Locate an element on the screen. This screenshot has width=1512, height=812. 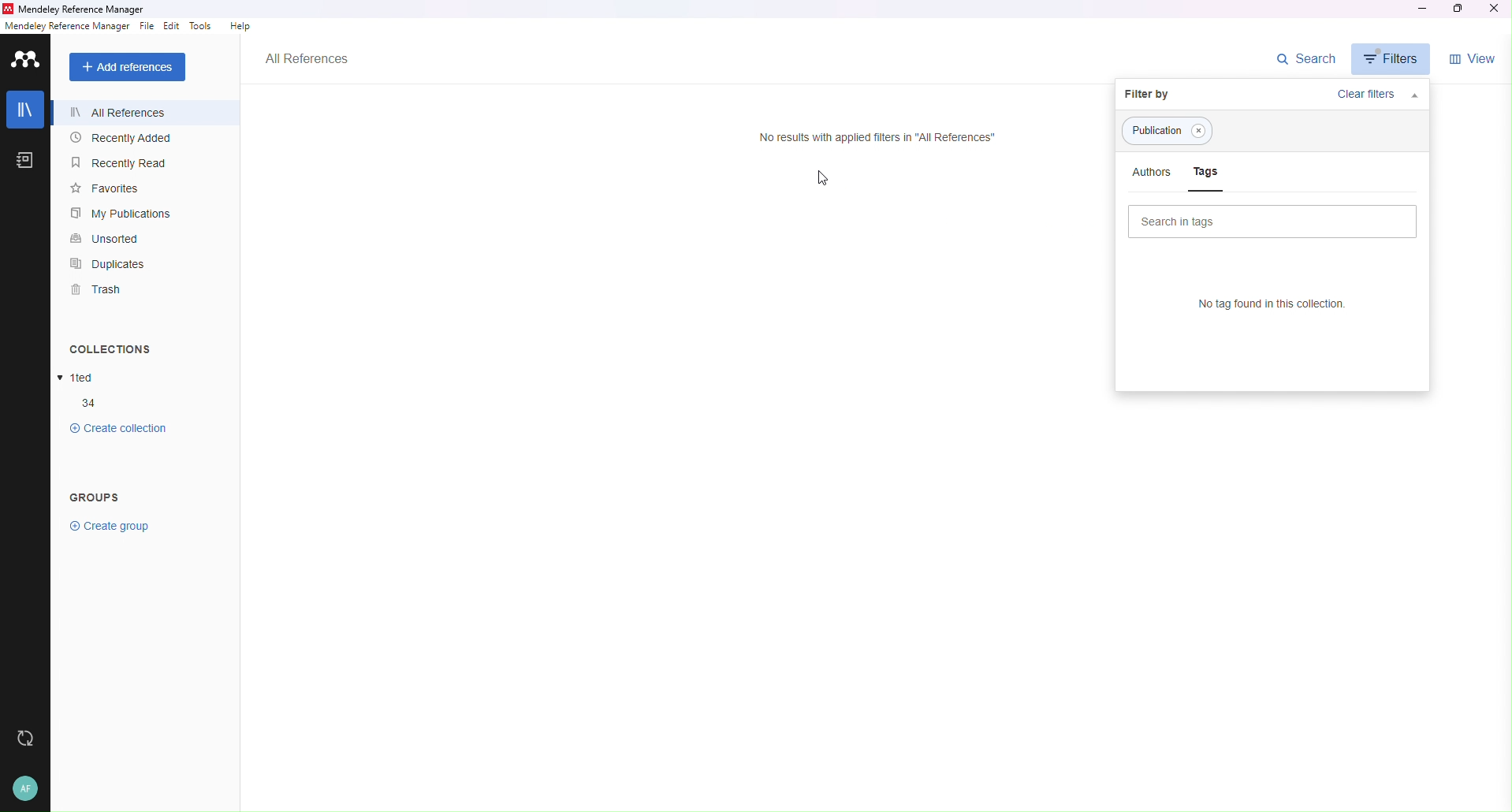
Library is located at coordinates (24, 109).